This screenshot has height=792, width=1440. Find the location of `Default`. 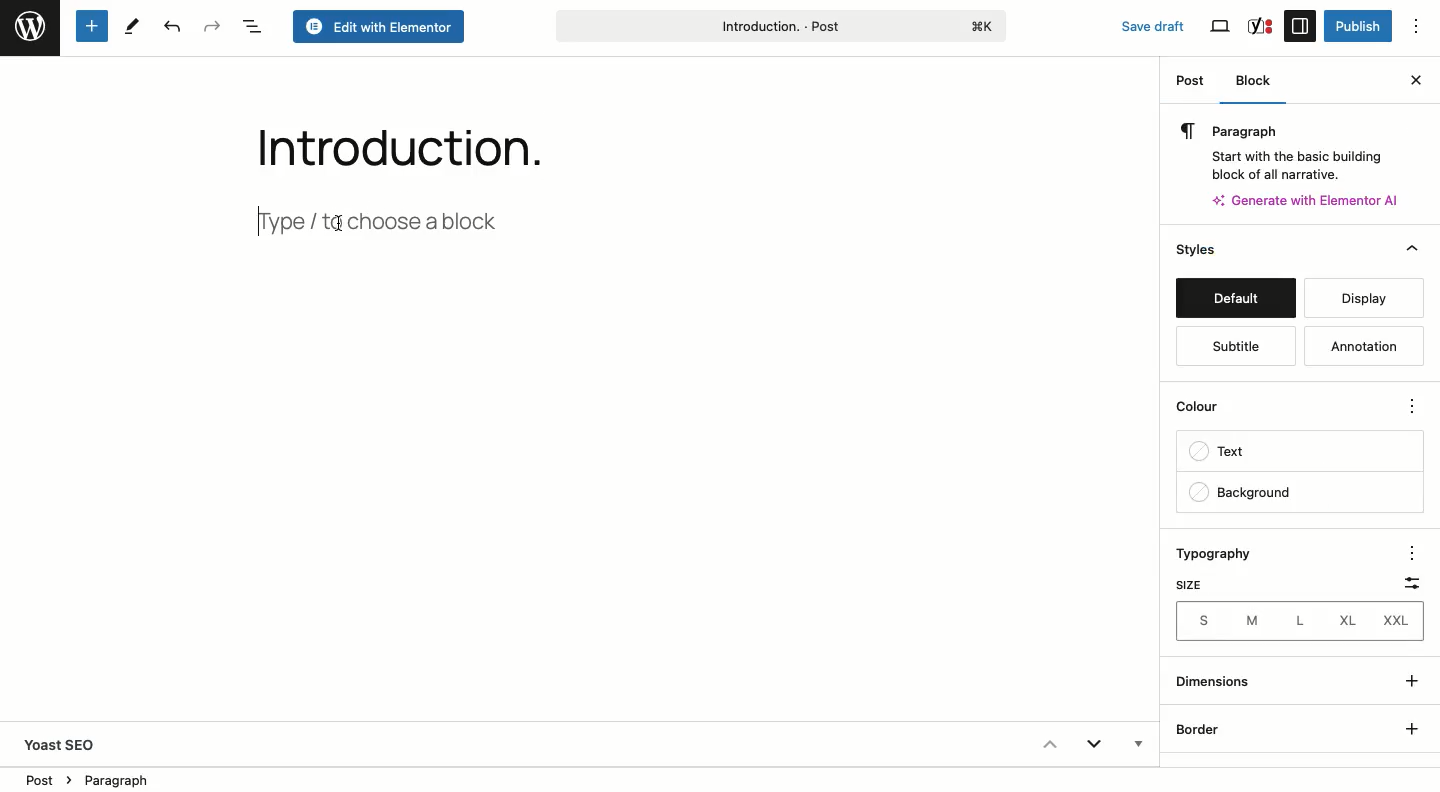

Default is located at coordinates (1235, 300).